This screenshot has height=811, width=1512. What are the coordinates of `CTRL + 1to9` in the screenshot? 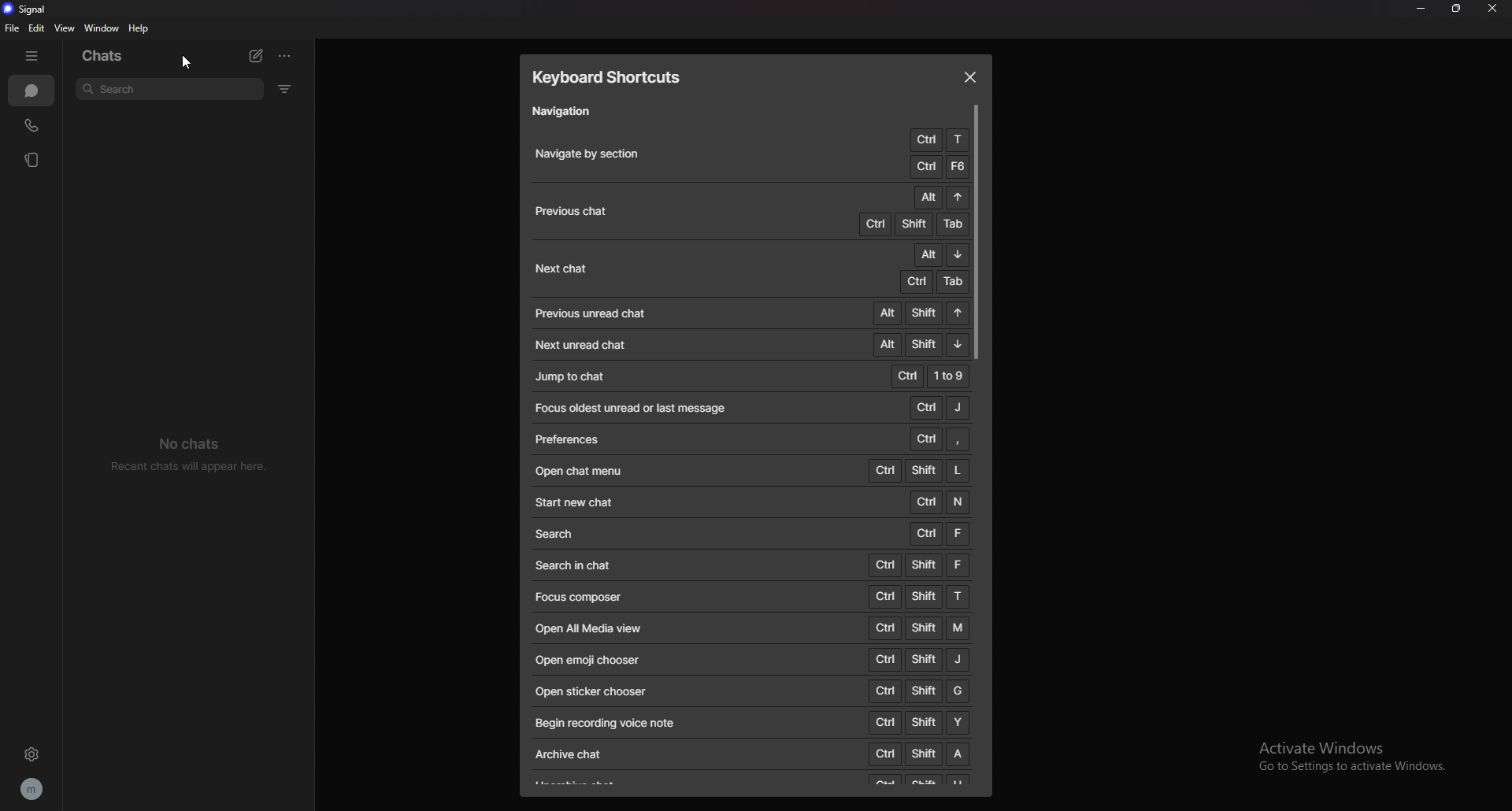 It's located at (930, 376).